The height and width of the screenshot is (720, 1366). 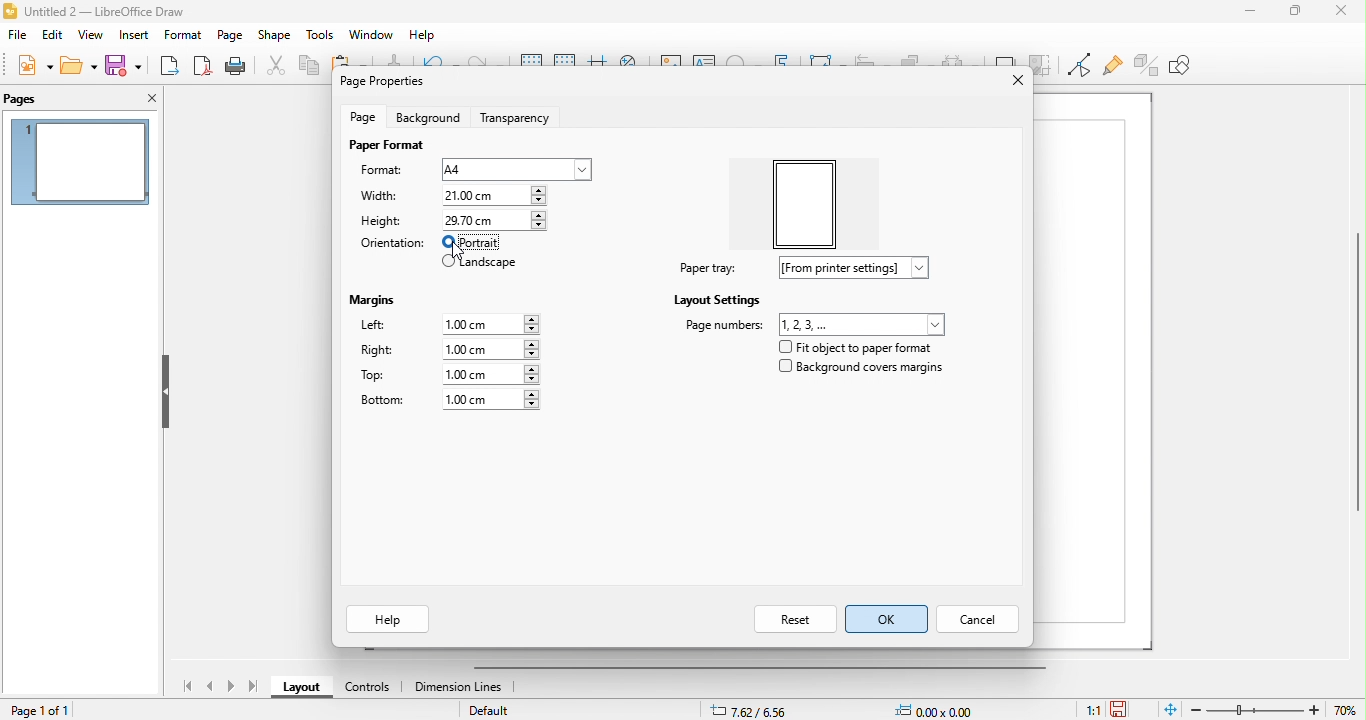 What do you see at coordinates (704, 63) in the screenshot?
I see `text box` at bounding box center [704, 63].